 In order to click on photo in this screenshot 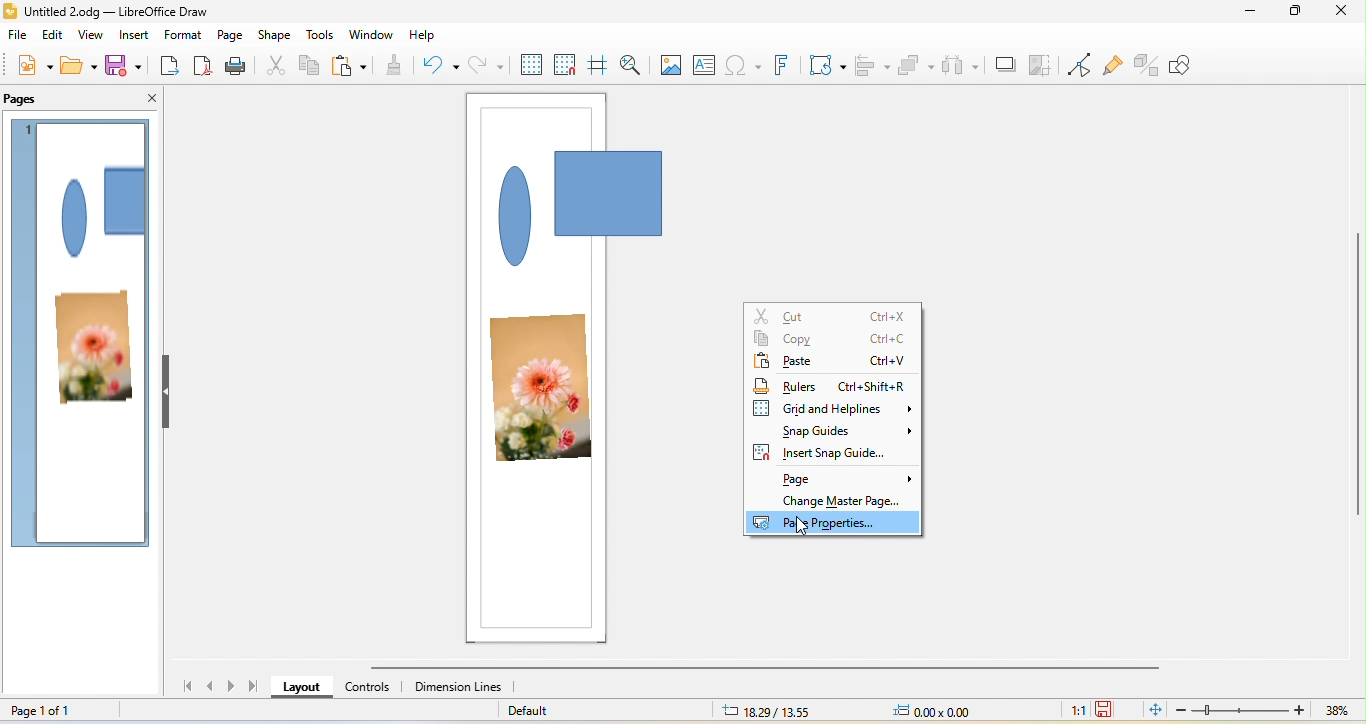, I will do `click(92, 350)`.